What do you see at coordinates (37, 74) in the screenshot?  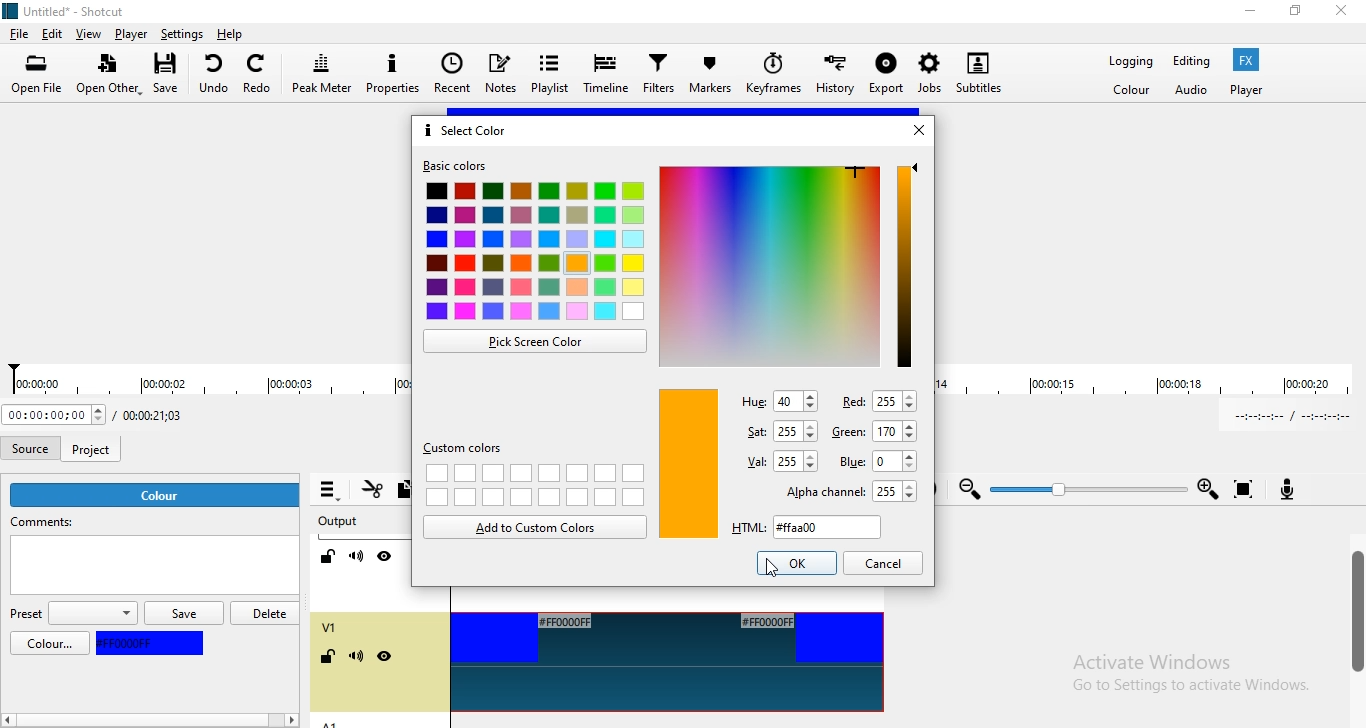 I see `Open file ` at bounding box center [37, 74].